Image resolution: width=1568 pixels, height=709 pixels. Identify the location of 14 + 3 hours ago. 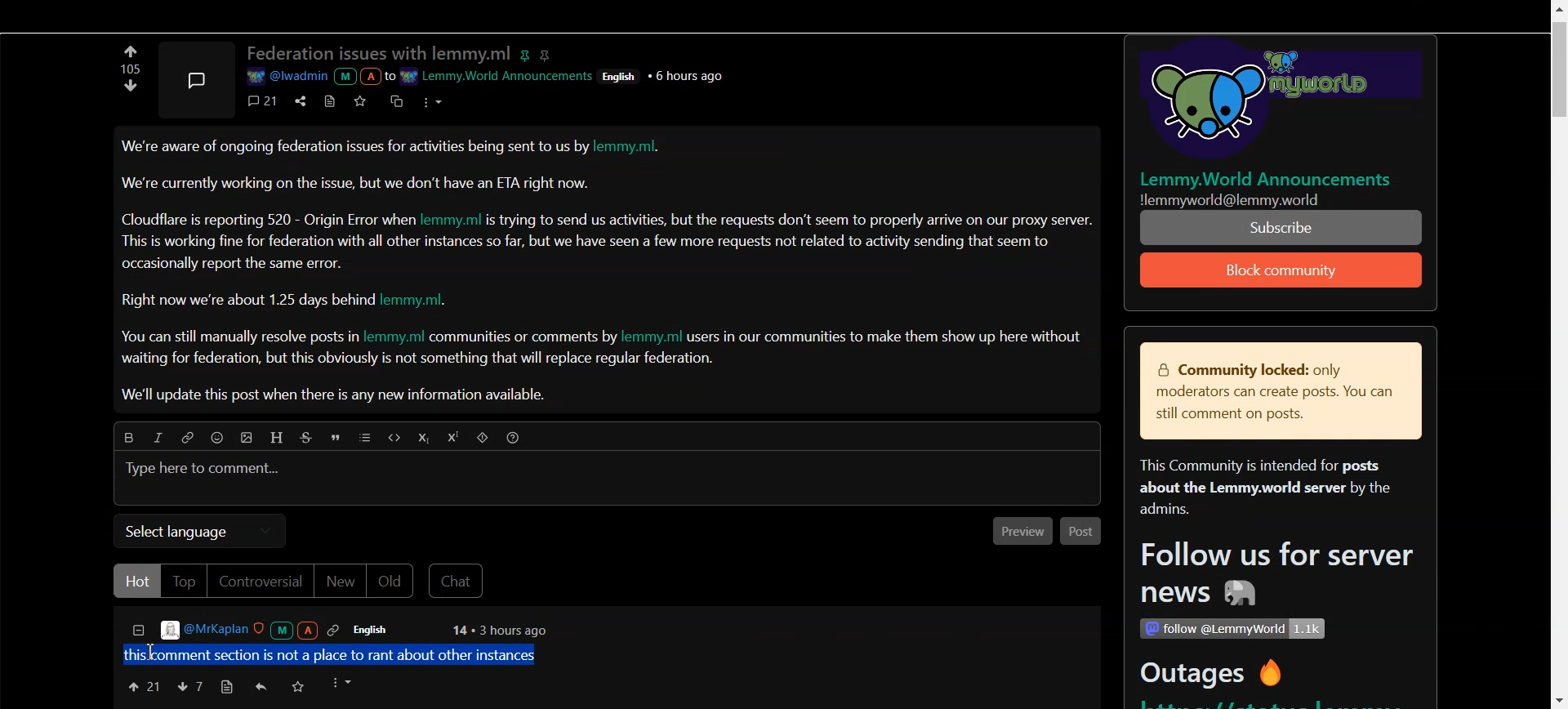
(497, 631).